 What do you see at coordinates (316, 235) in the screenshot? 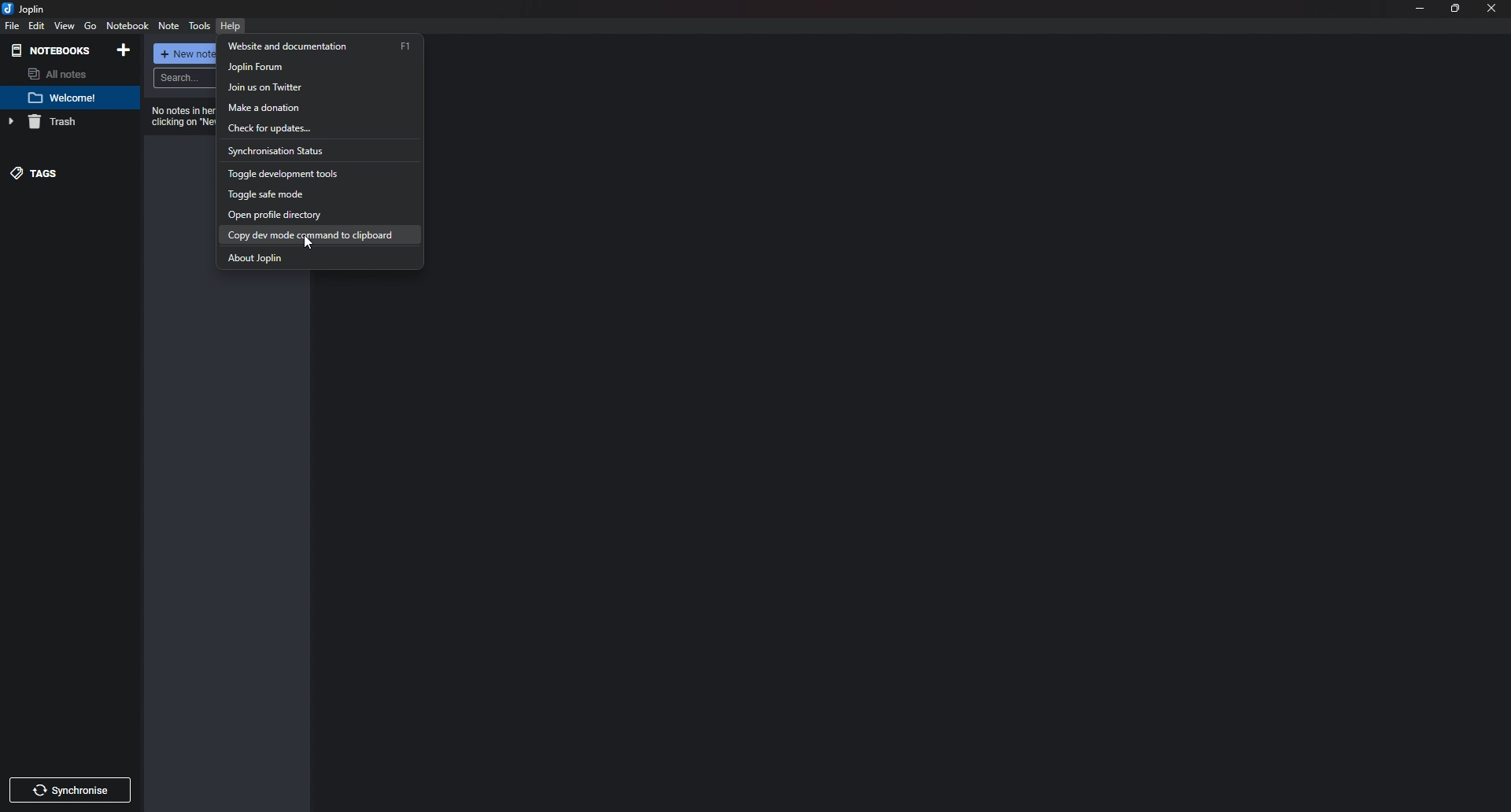
I see `Copy dev mode comment to clipboard` at bounding box center [316, 235].